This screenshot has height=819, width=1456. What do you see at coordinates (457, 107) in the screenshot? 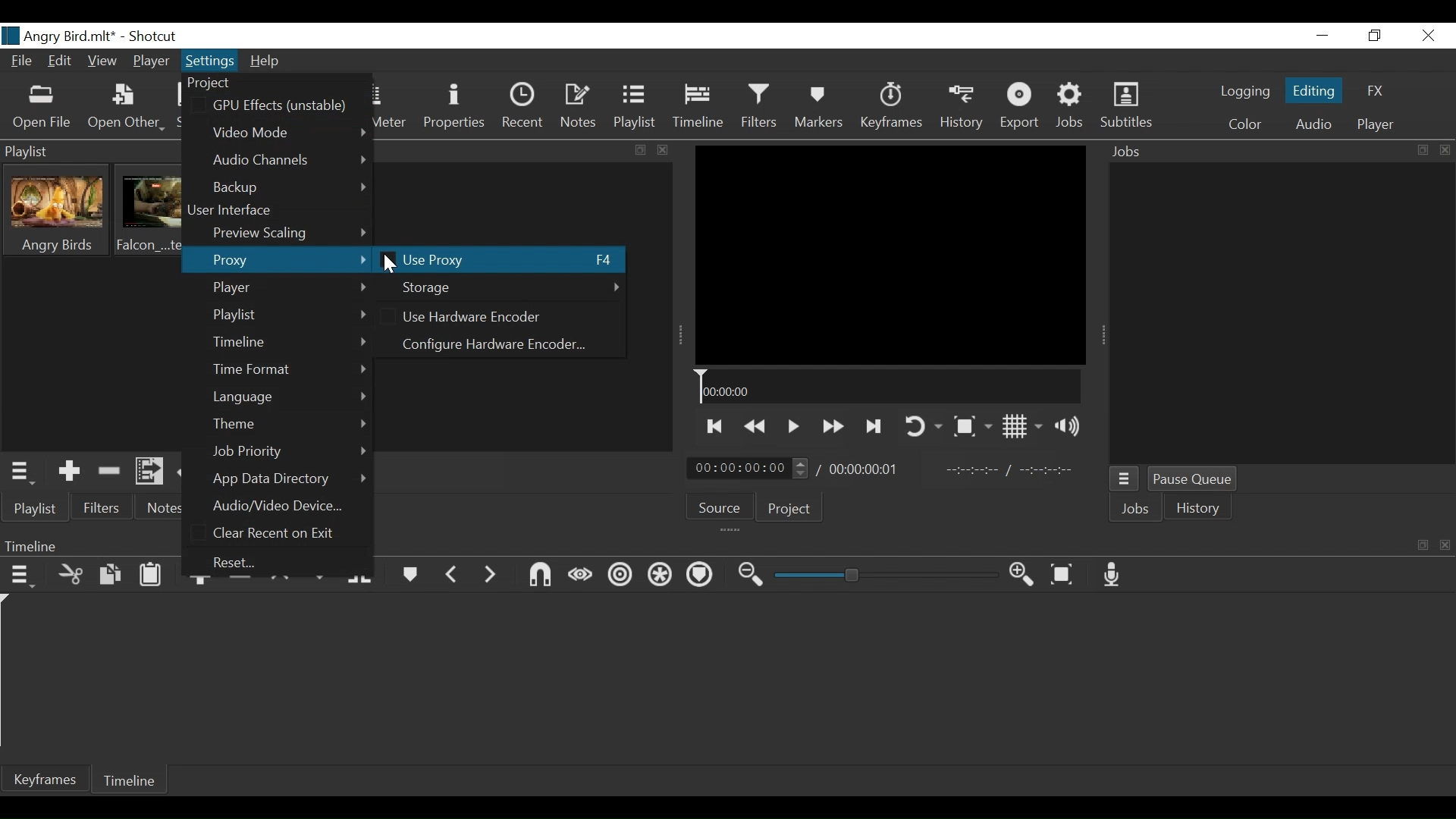
I see `Properties` at bounding box center [457, 107].